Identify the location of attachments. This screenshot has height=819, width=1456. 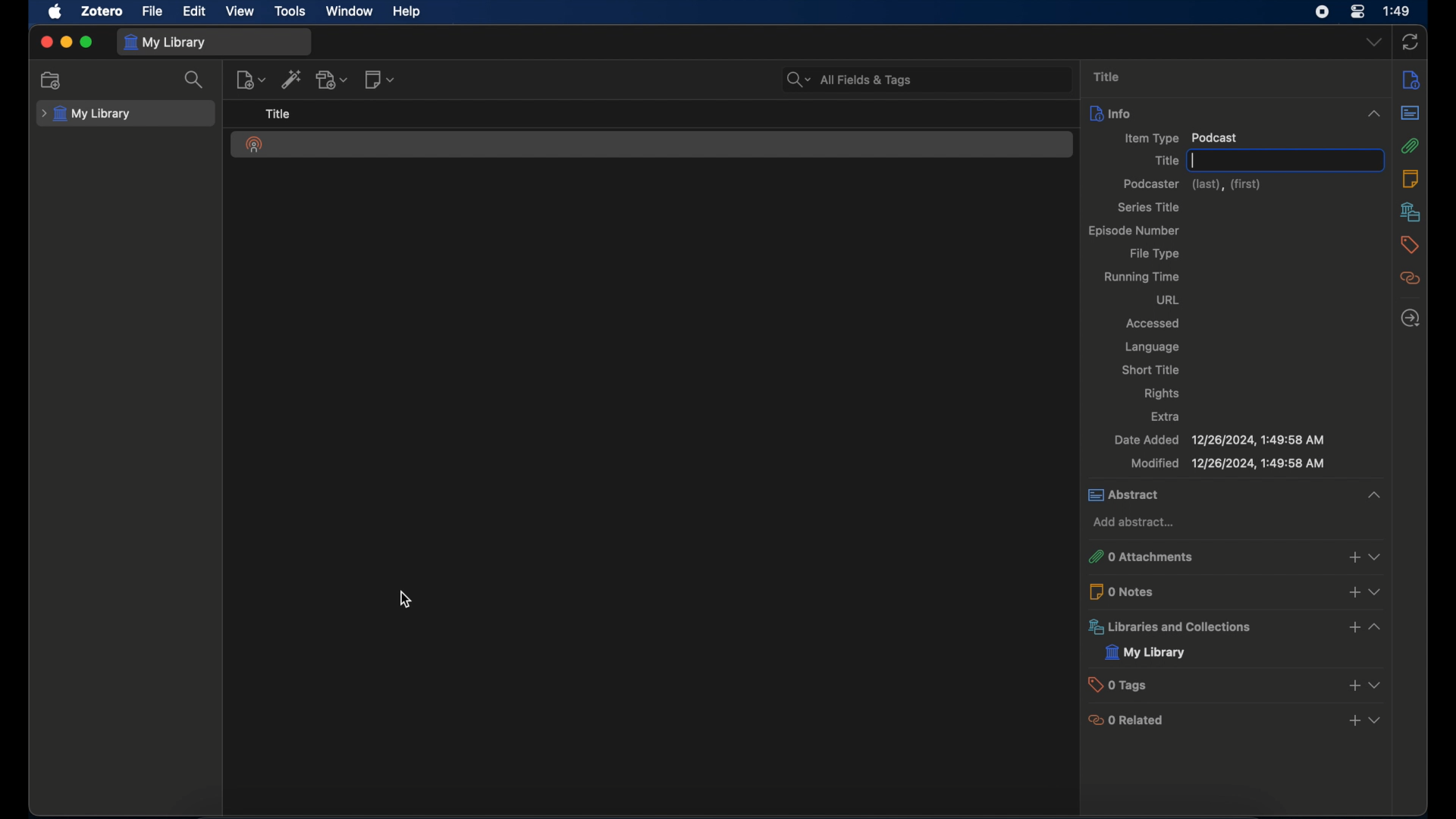
(1410, 146).